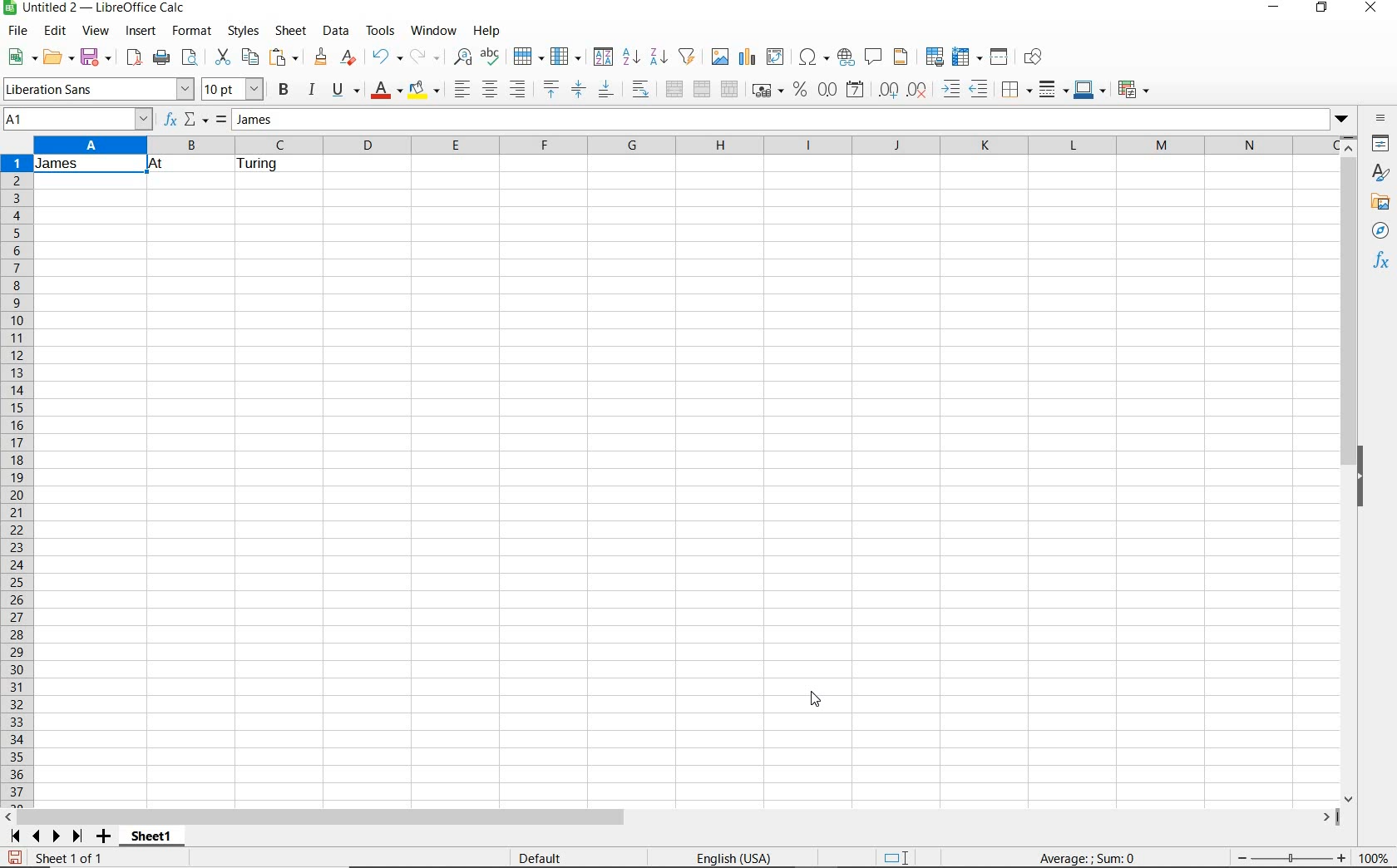 This screenshot has width=1397, height=868. Describe the element at coordinates (1375, 859) in the screenshot. I see `zoom factor` at that location.